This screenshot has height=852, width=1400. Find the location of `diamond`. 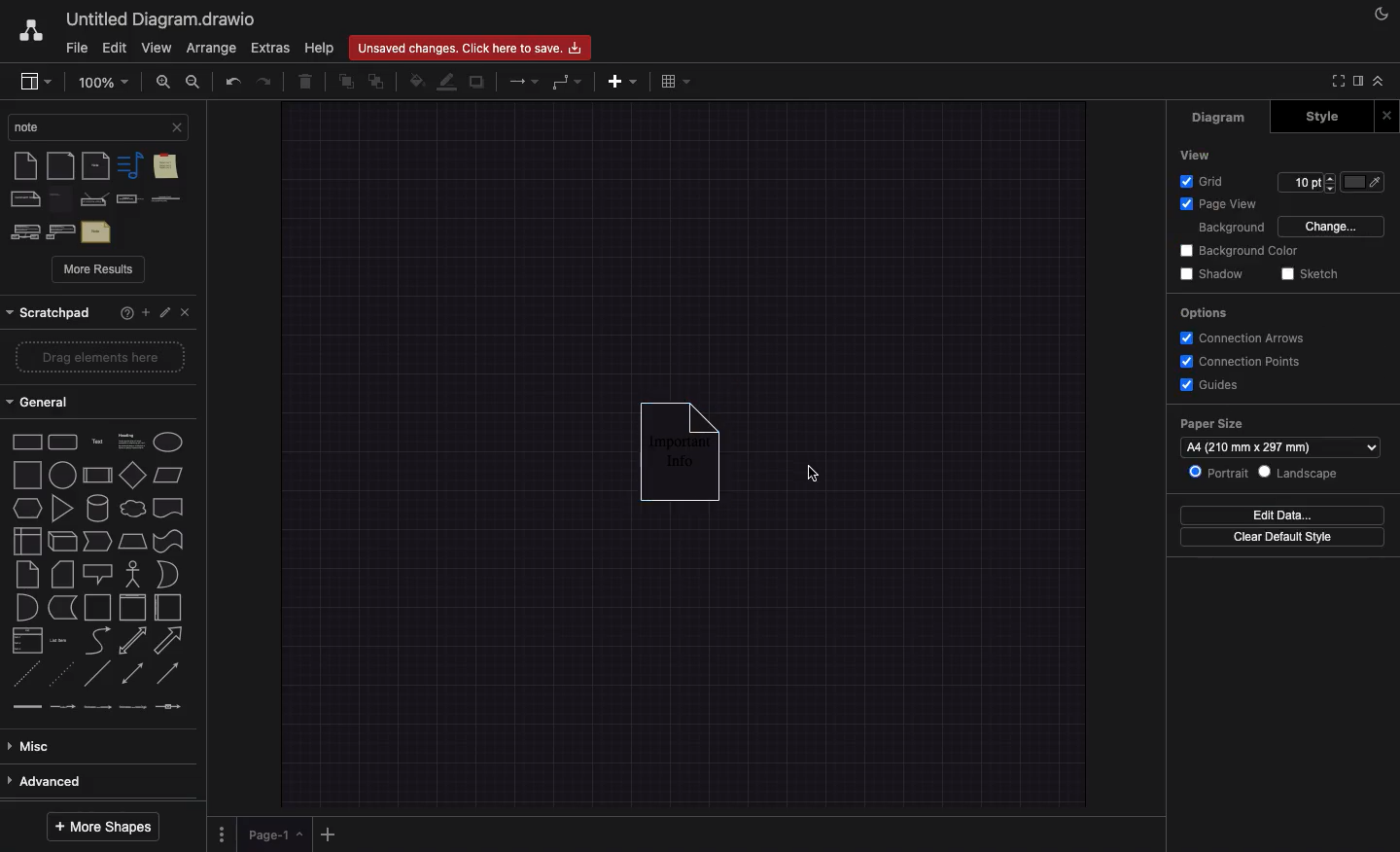

diamond is located at coordinates (98, 478).